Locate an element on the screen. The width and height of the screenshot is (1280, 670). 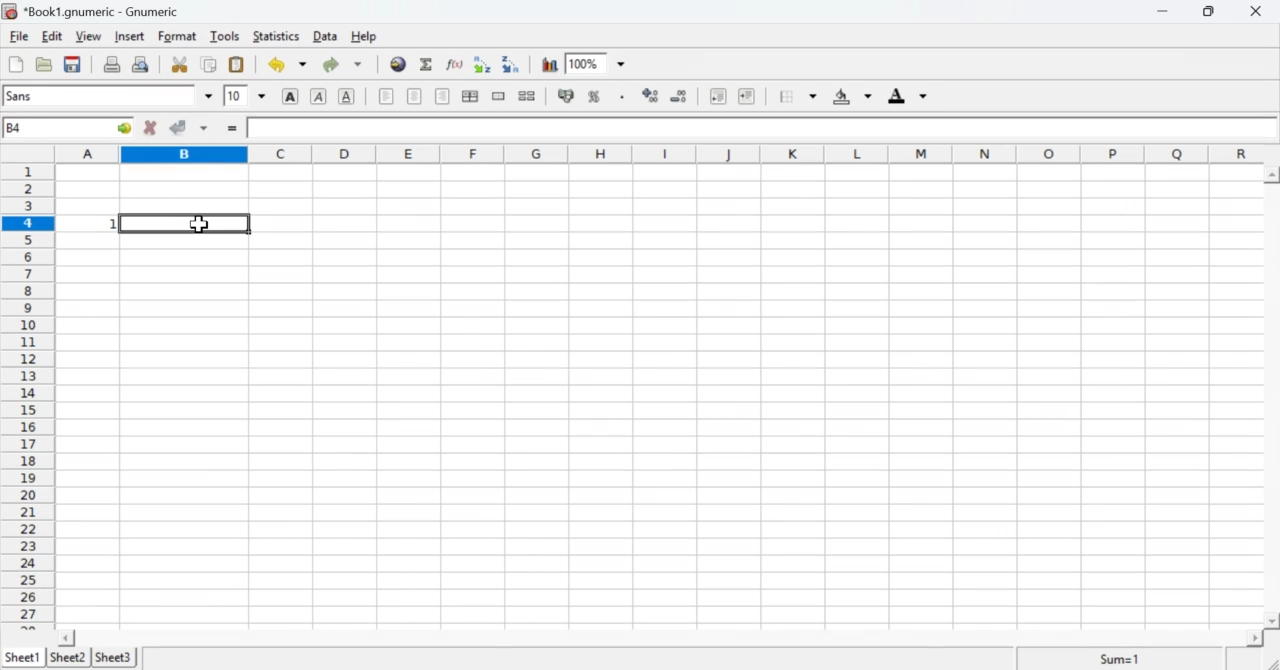
Bold is located at coordinates (291, 96).